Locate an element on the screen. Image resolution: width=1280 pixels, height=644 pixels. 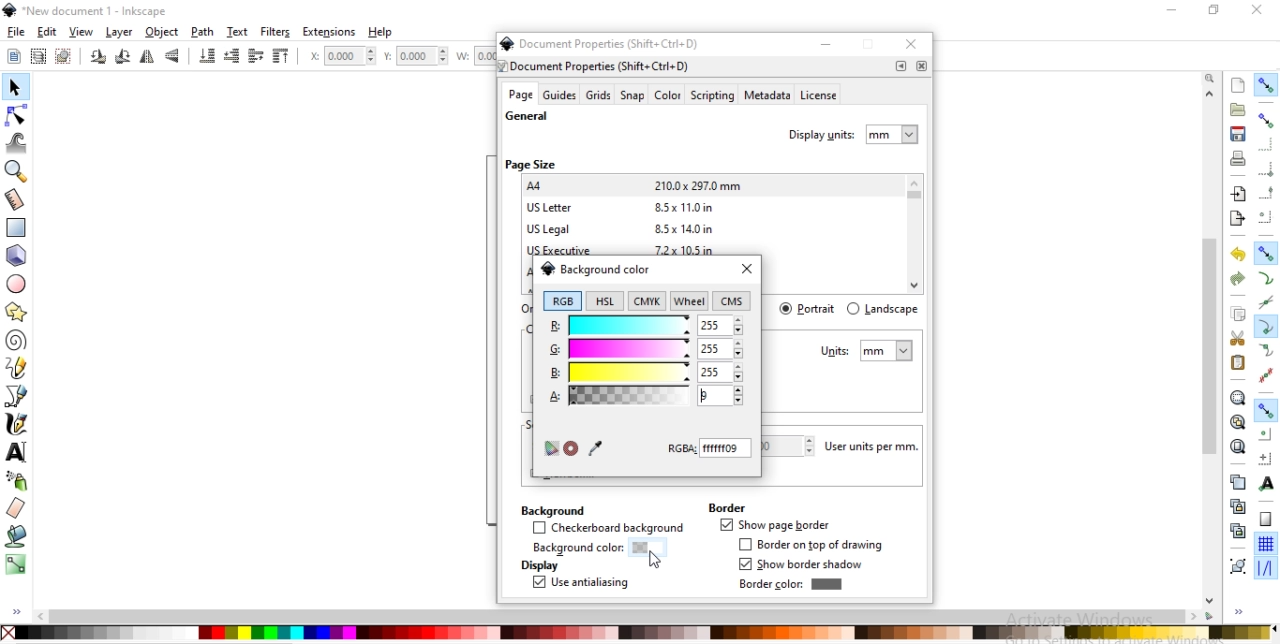
raise selection to top is located at coordinates (281, 57).